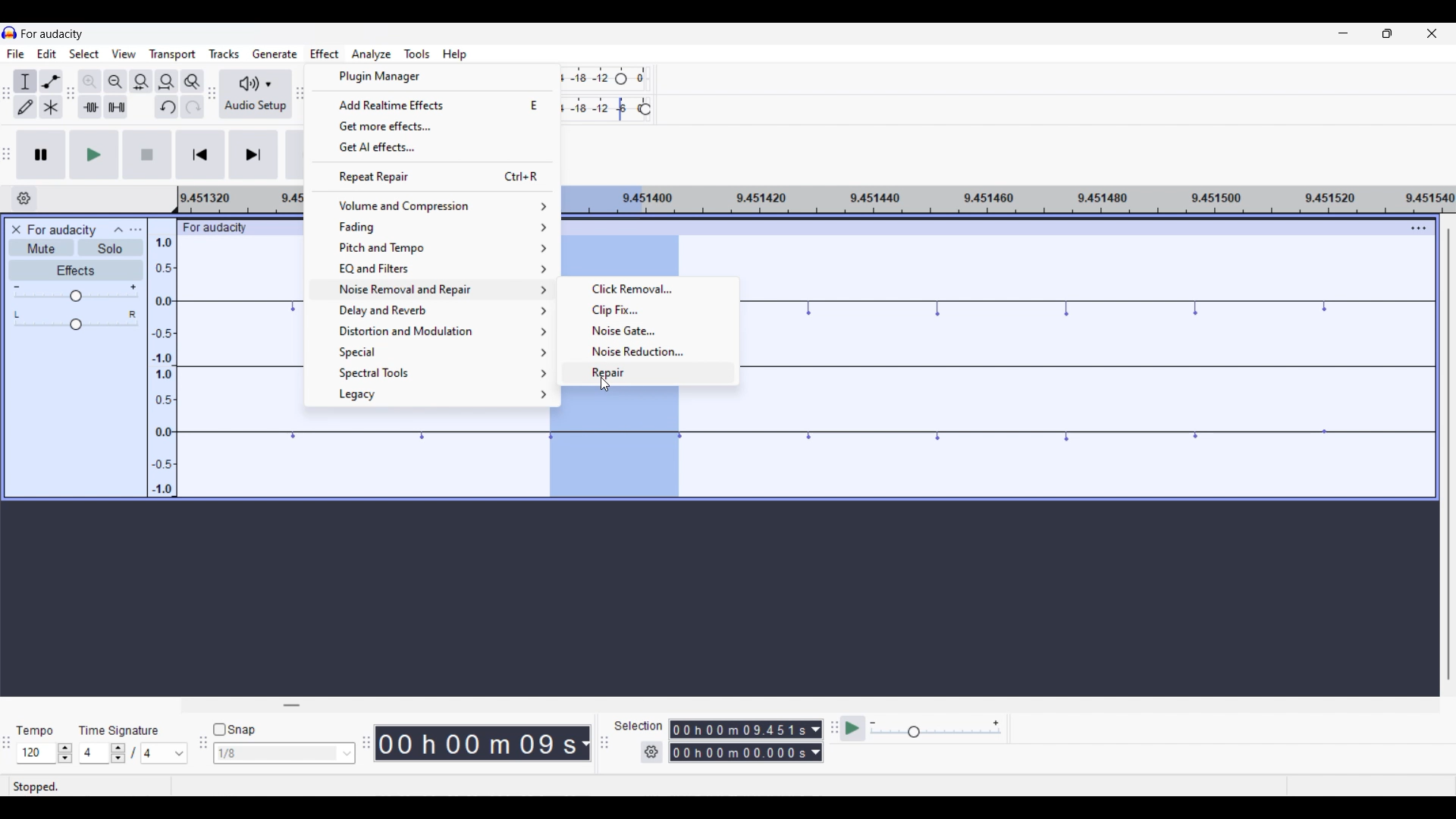 The width and height of the screenshot is (1456, 819). What do you see at coordinates (936, 730) in the screenshot?
I see `Playback speed scale` at bounding box center [936, 730].